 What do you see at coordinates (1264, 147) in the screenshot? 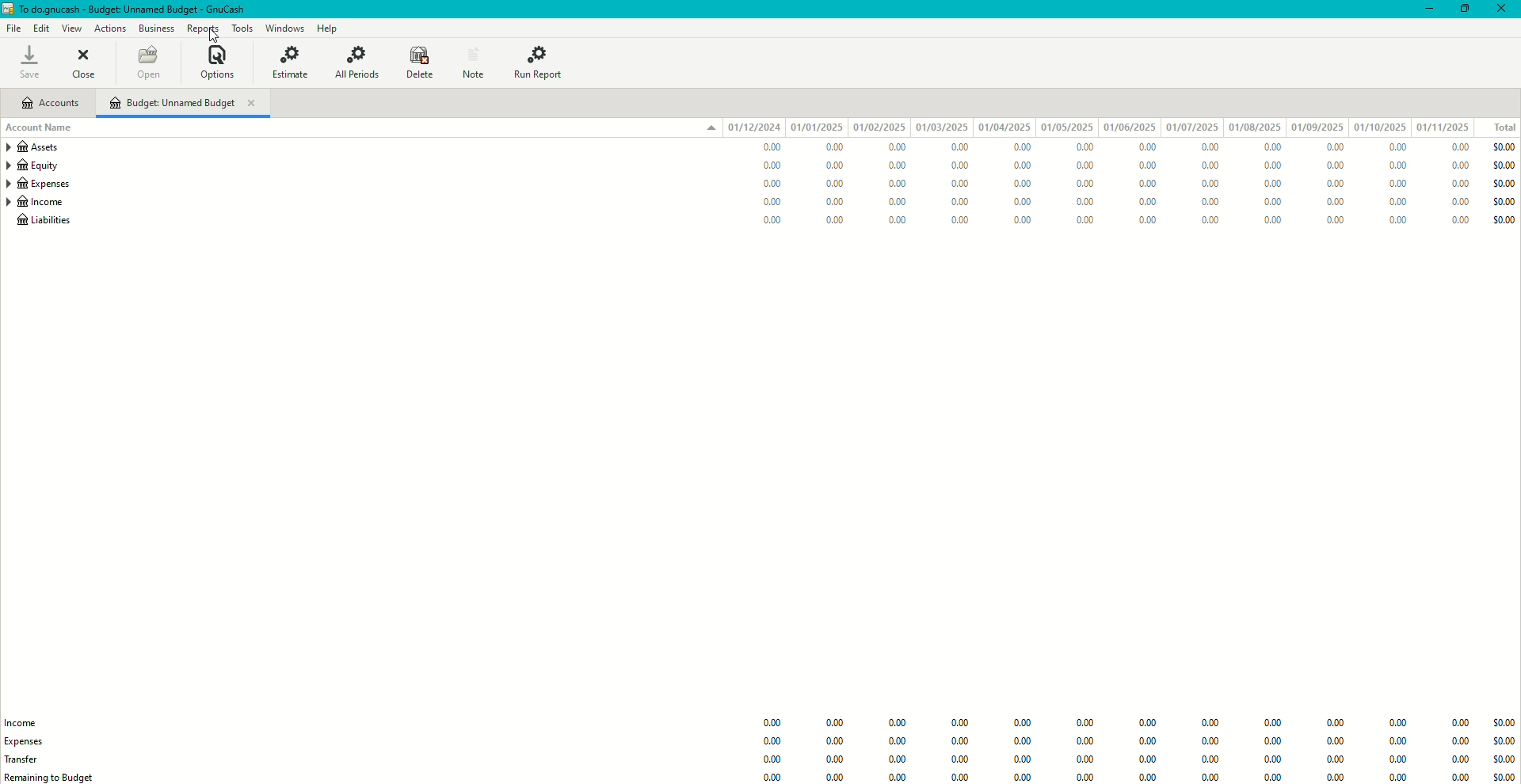
I see `0.00` at bounding box center [1264, 147].